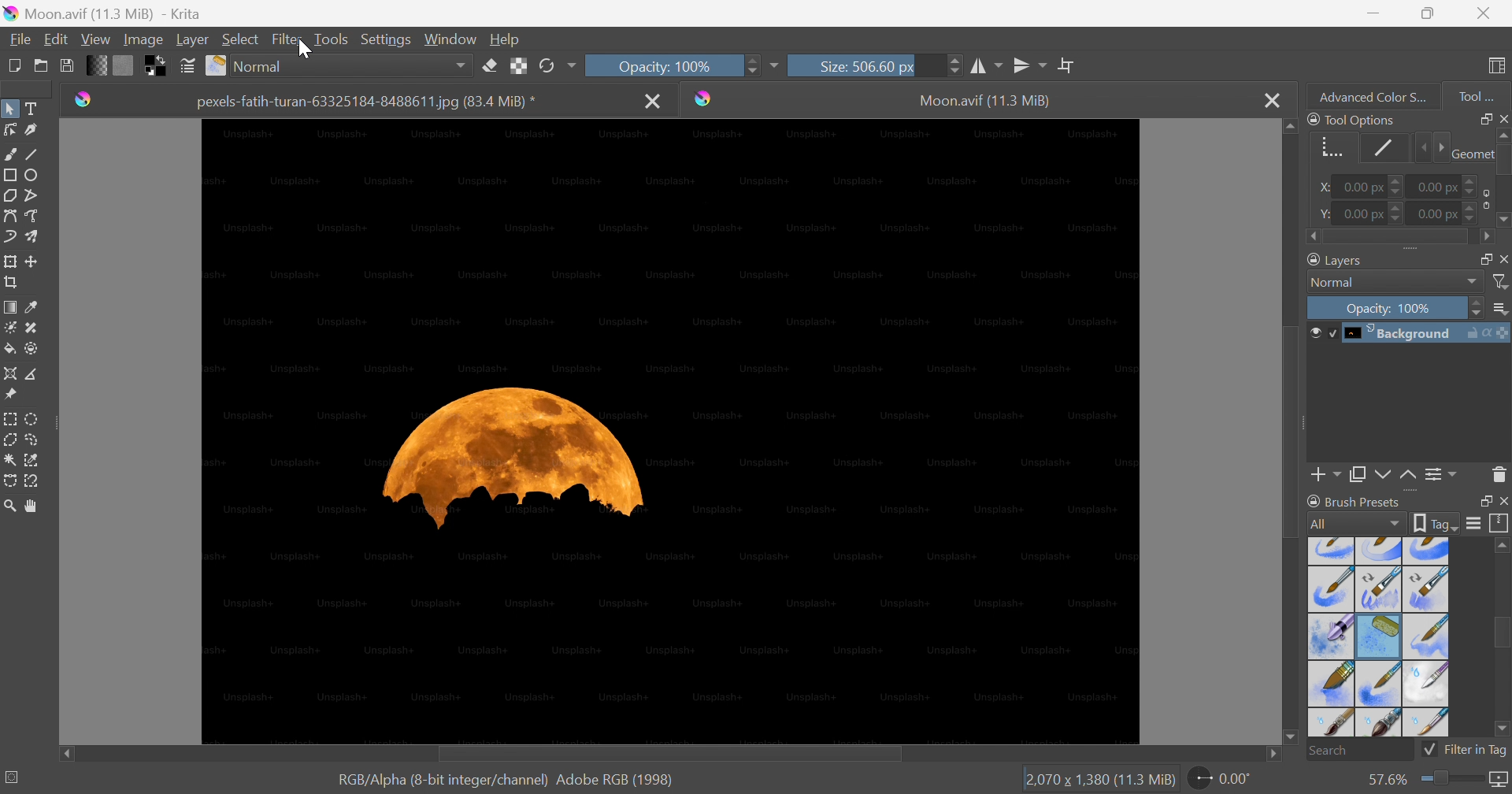  I want to click on Background, so click(1408, 334).